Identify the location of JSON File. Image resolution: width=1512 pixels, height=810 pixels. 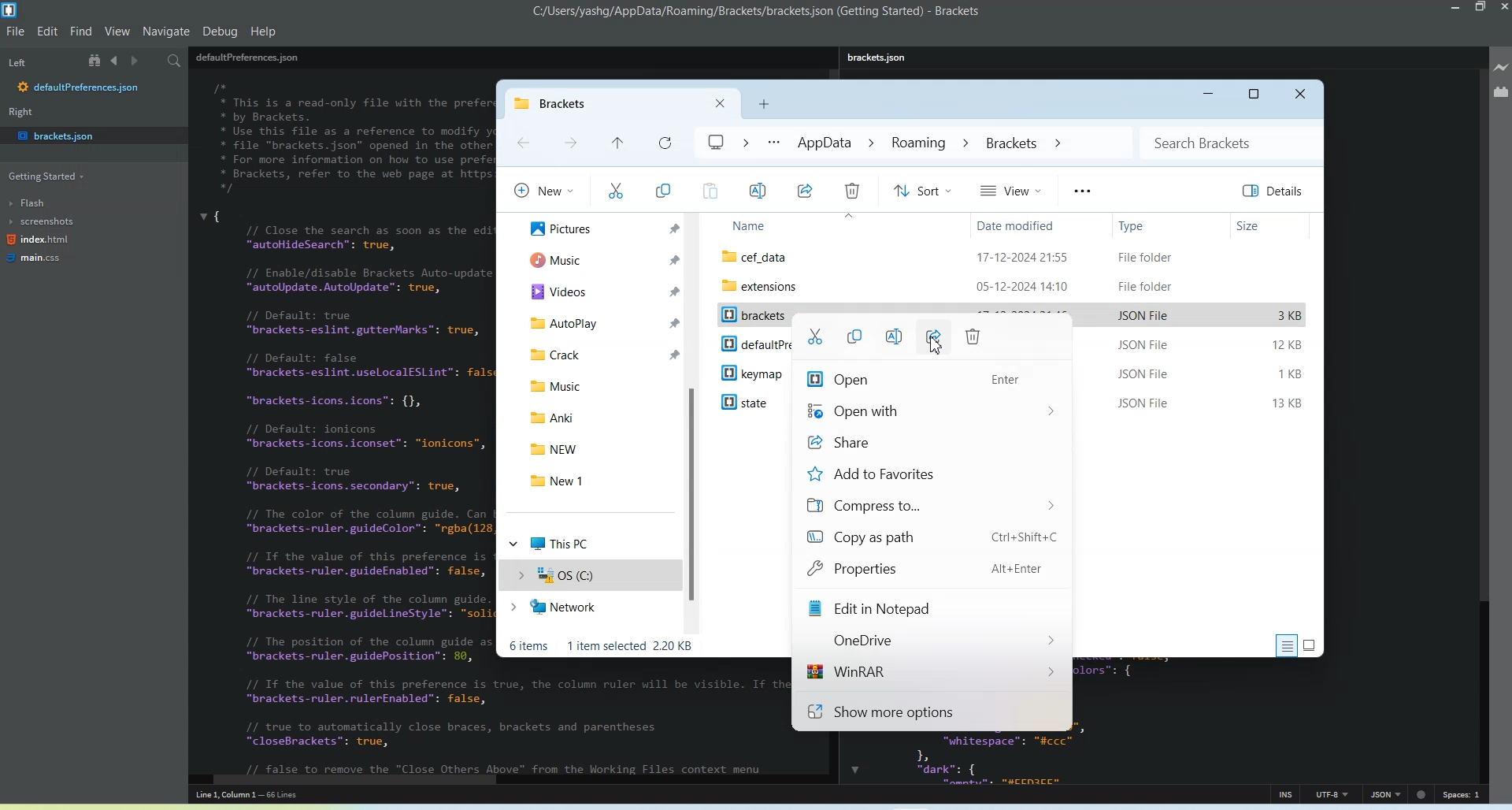
(1152, 373).